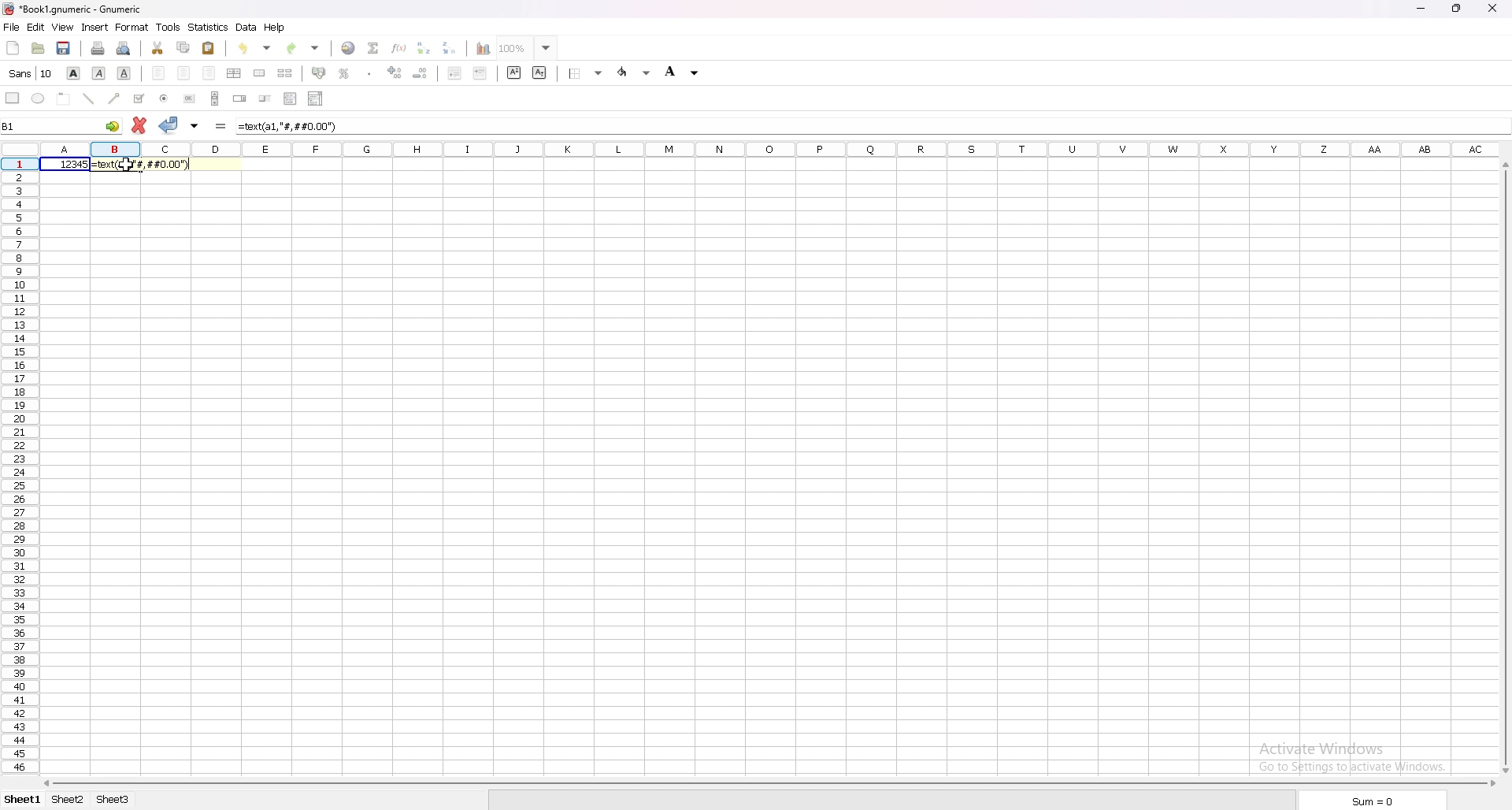 This screenshot has height=810, width=1512. What do you see at coordinates (1458, 7) in the screenshot?
I see `resize` at bounding box center [1458, 7].